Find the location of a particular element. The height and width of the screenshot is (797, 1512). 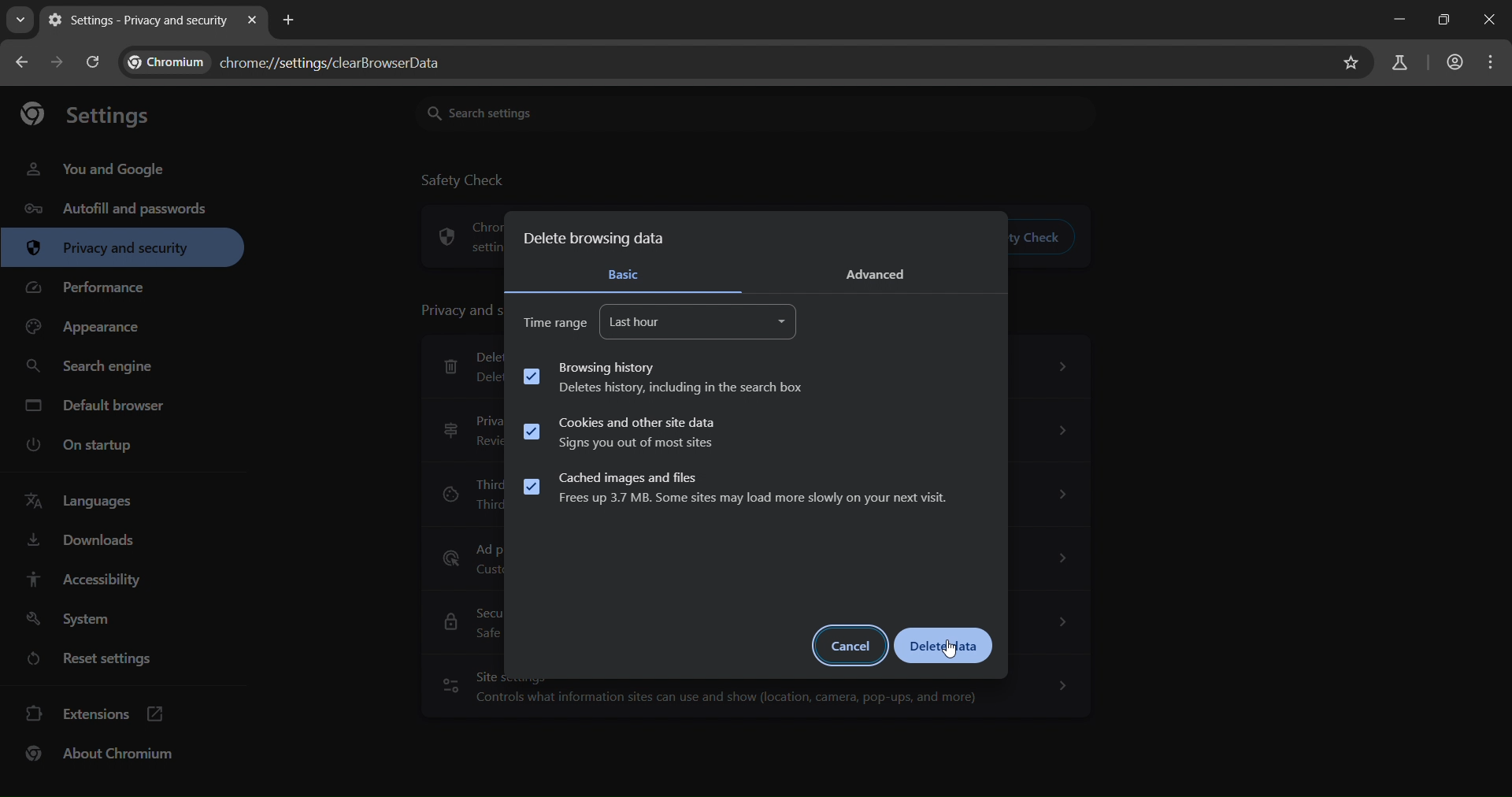

search settings is located at coordinates (754, 113).